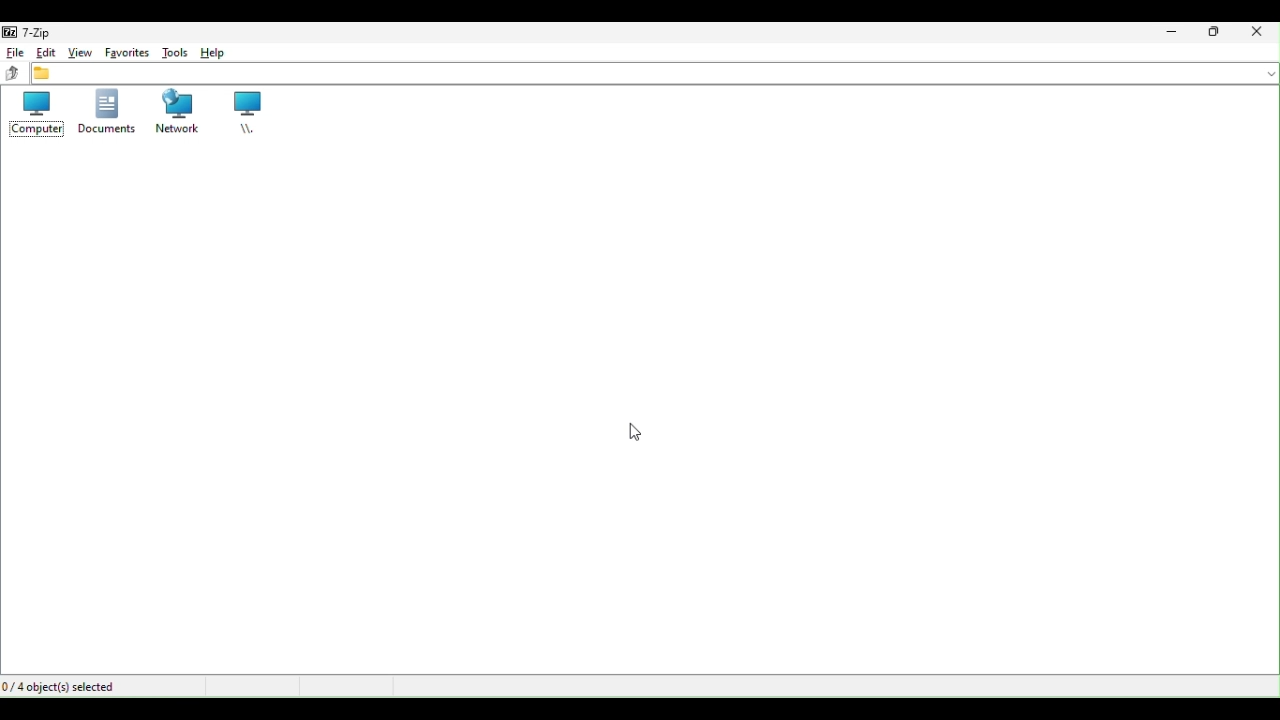 This screenshot has height=720, width=1280. Describe the element at coordinates (35, 31) in the screenshot. I see `7 zip` at that location.